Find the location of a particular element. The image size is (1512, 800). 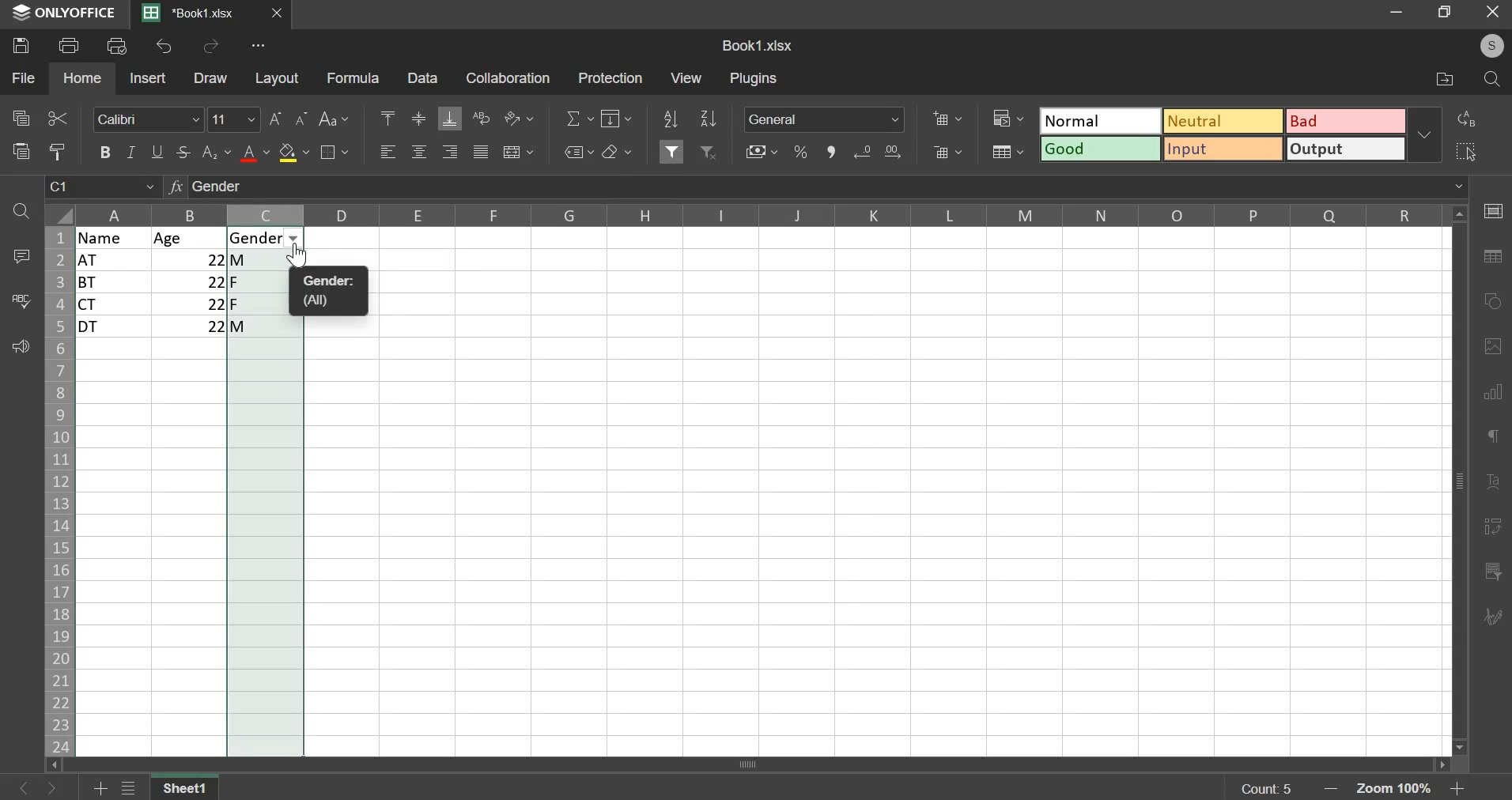

change case is located at coordinates (337, 119).